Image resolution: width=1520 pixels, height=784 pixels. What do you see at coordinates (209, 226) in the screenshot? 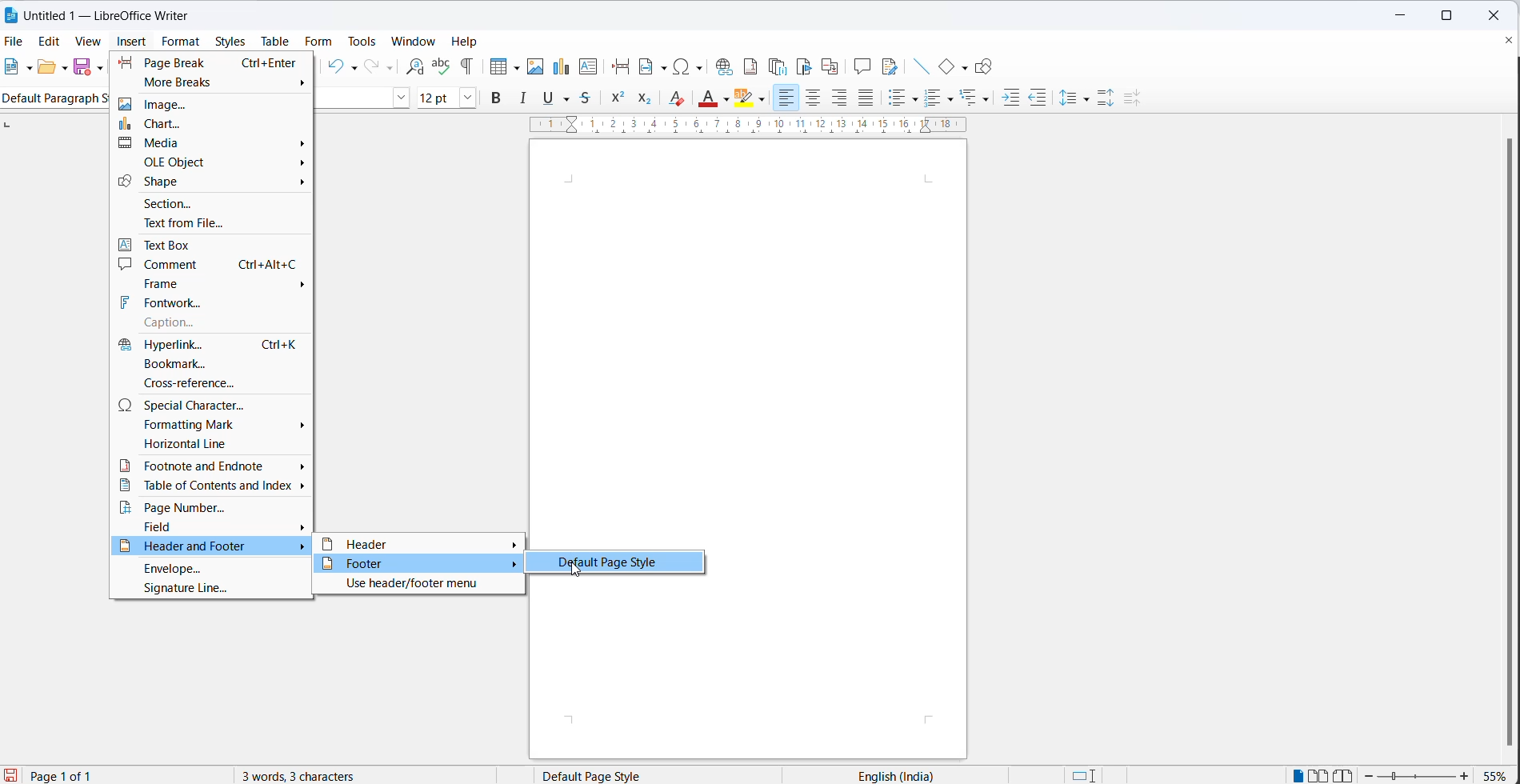
I see `text from file` at bounding box center [209, 226].